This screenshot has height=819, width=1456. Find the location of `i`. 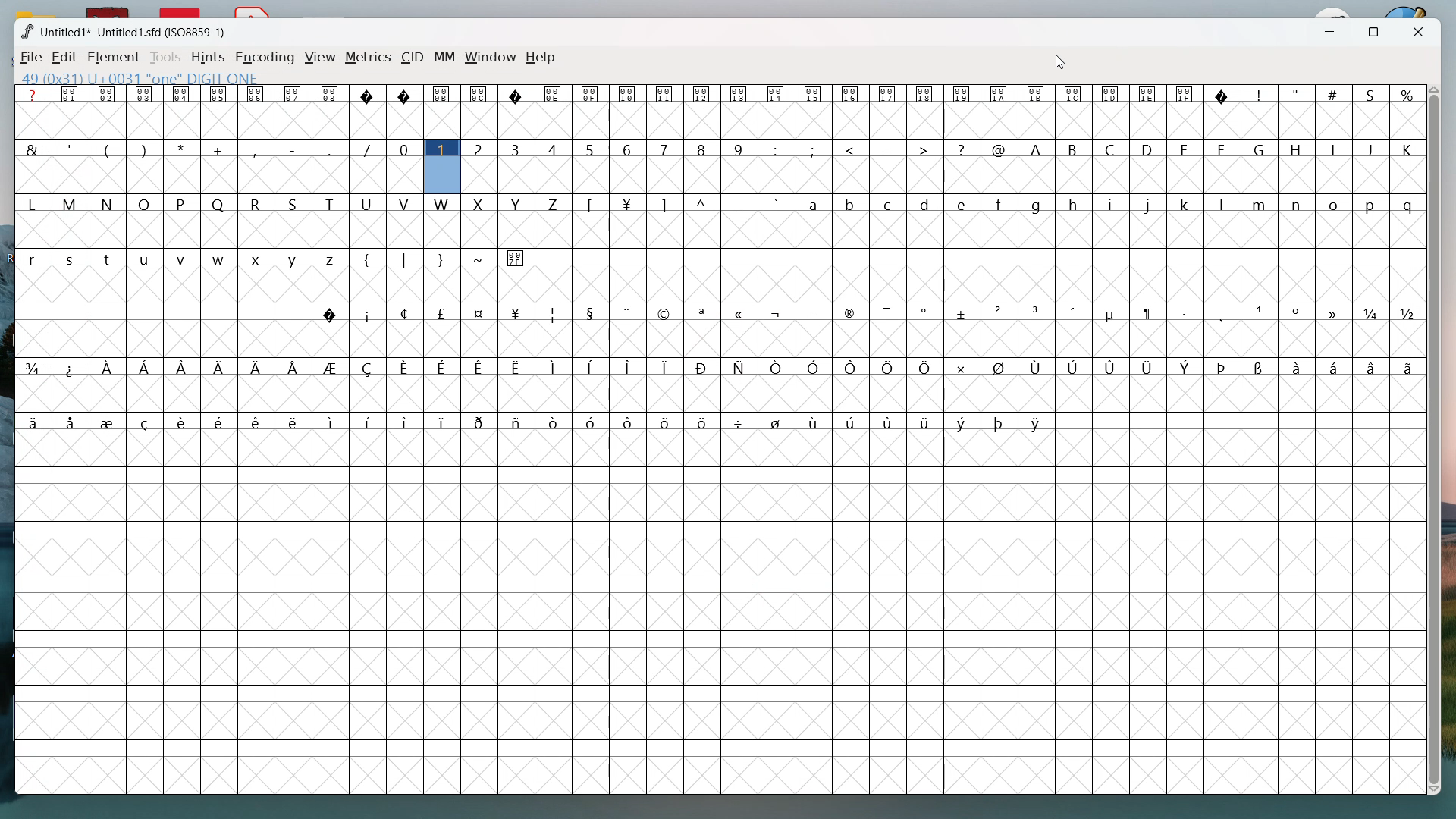

i is located at coordinates (1113, 203).